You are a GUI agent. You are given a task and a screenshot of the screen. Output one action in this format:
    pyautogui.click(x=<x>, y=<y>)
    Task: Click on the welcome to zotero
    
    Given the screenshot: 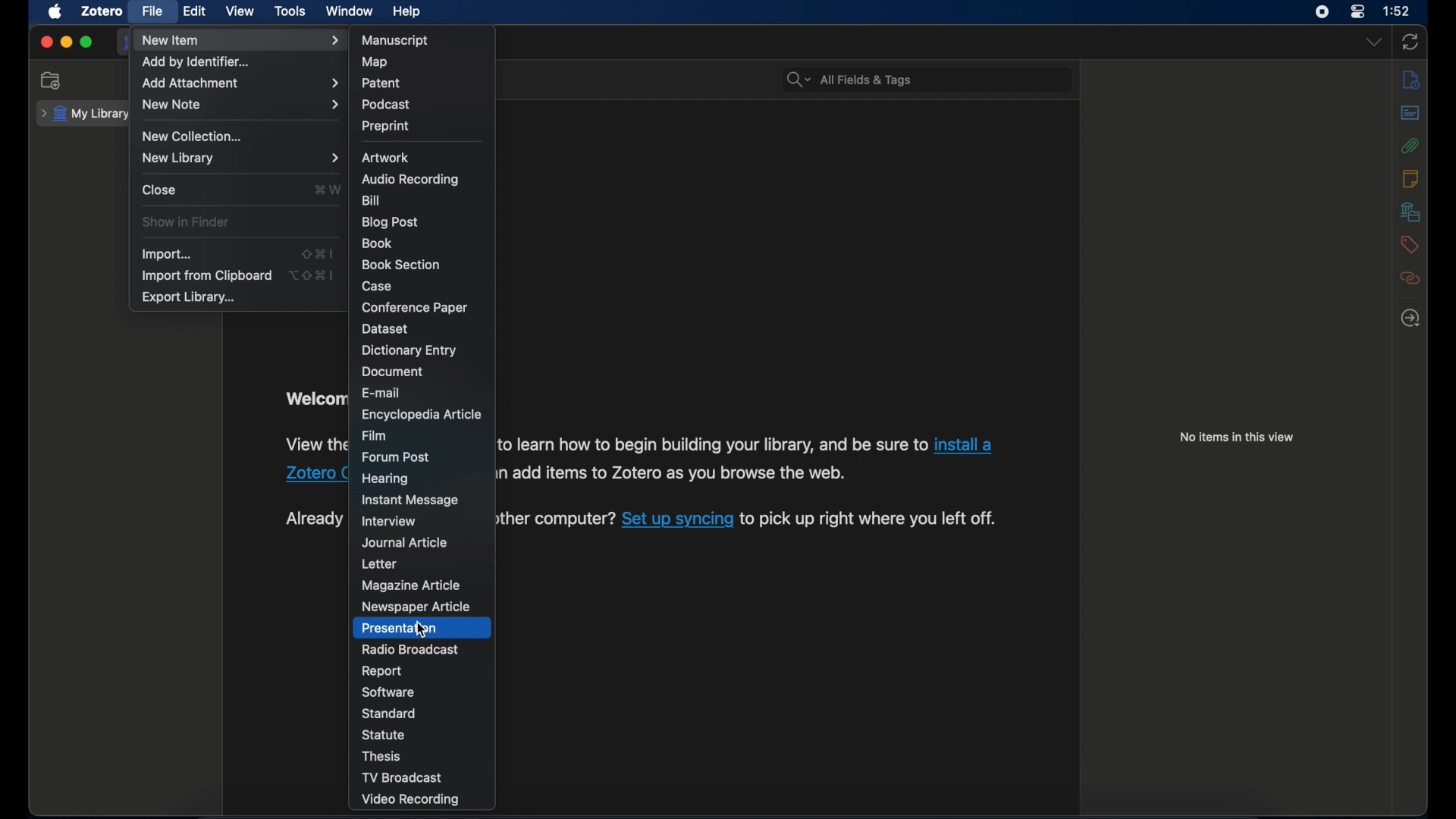 What is the action you would take?
    pyautogui.click(x=314, y=399)
    